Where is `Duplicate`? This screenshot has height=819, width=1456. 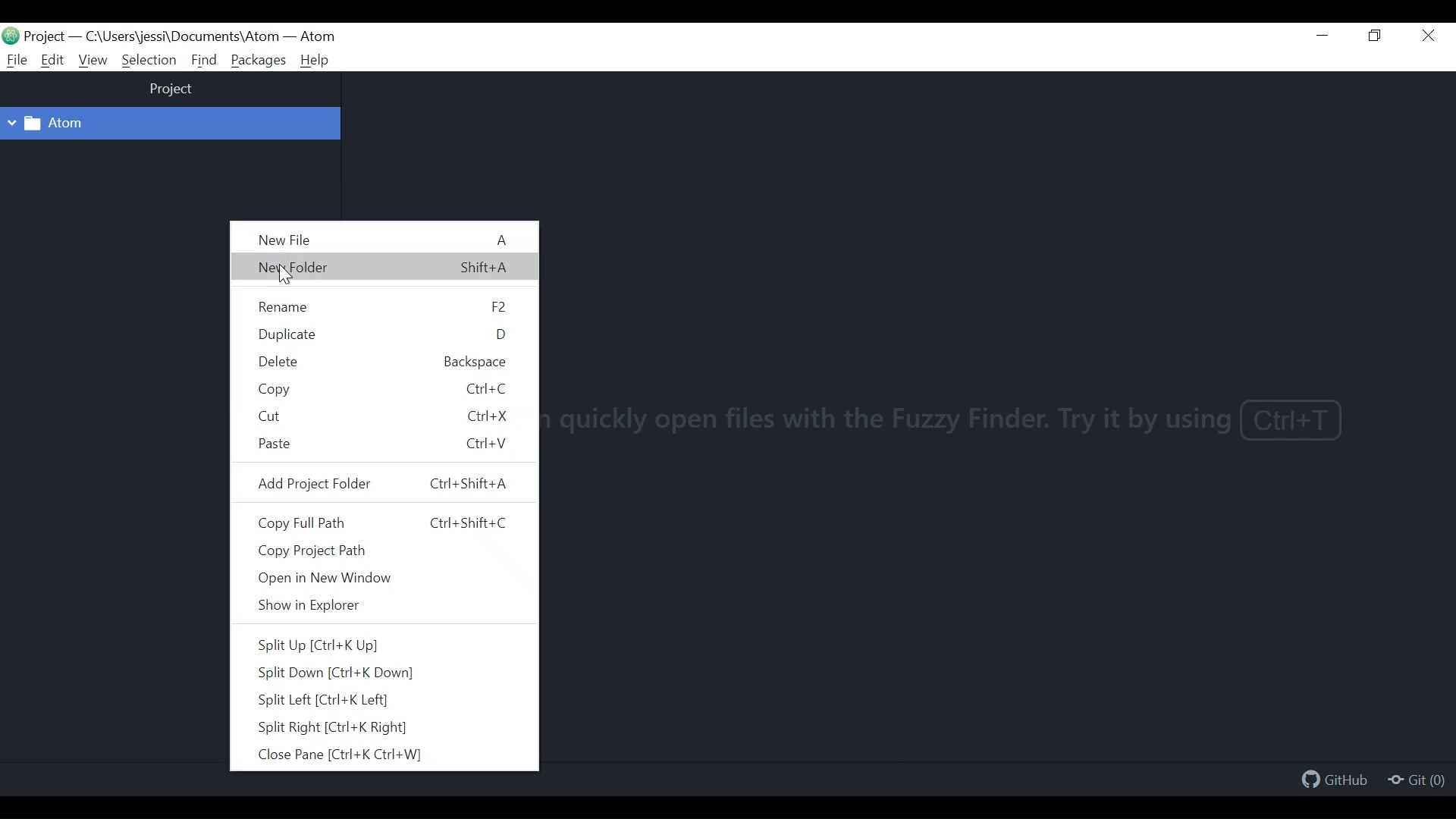 Duplicate is located at coordinates (287, 334).